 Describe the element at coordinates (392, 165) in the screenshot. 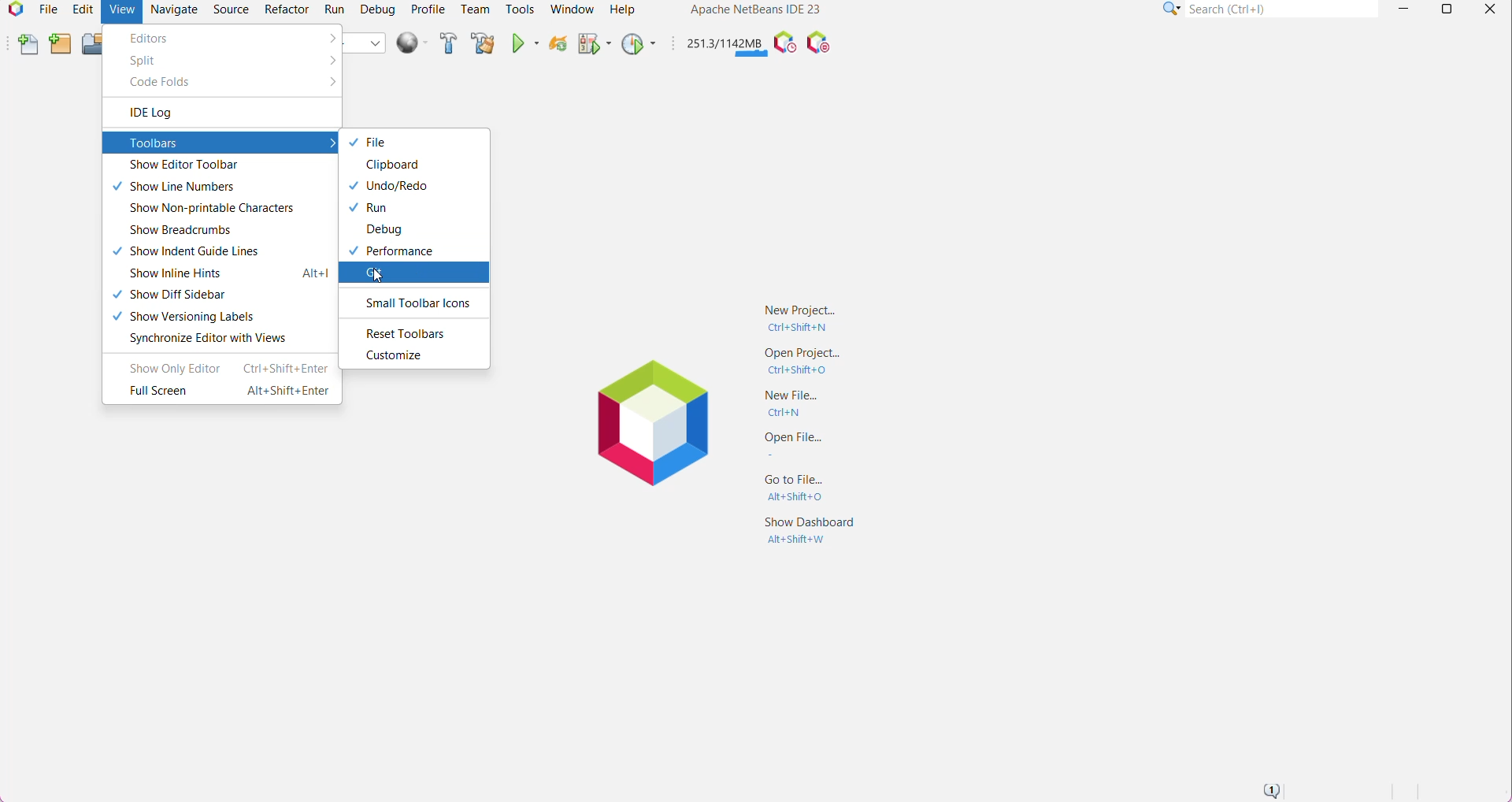

I see `Clipboard` at that location.